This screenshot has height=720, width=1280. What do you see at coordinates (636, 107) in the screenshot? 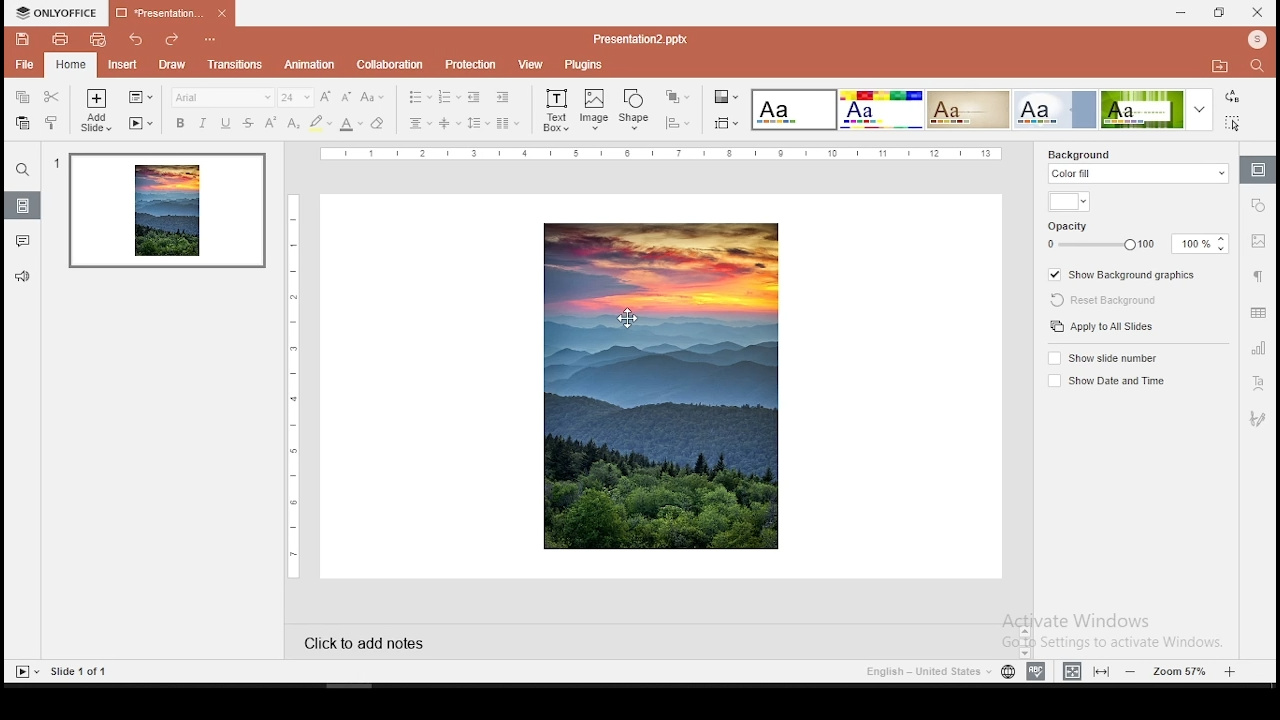
I see `shape` at bounding box center [636, 107].